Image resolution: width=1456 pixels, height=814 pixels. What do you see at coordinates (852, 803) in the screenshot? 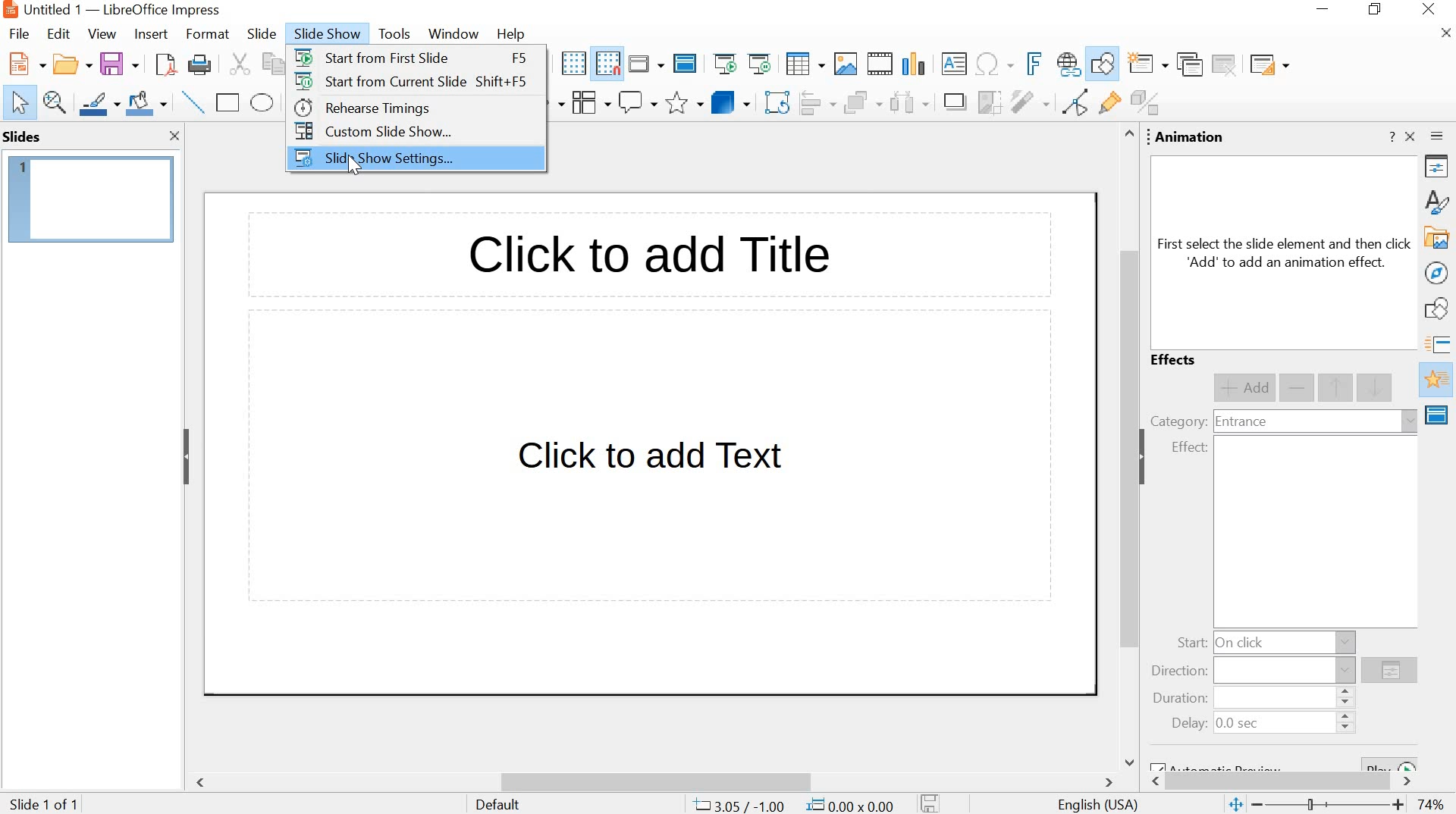
I see `0.00x0.00` at bounding box center [852, 803].